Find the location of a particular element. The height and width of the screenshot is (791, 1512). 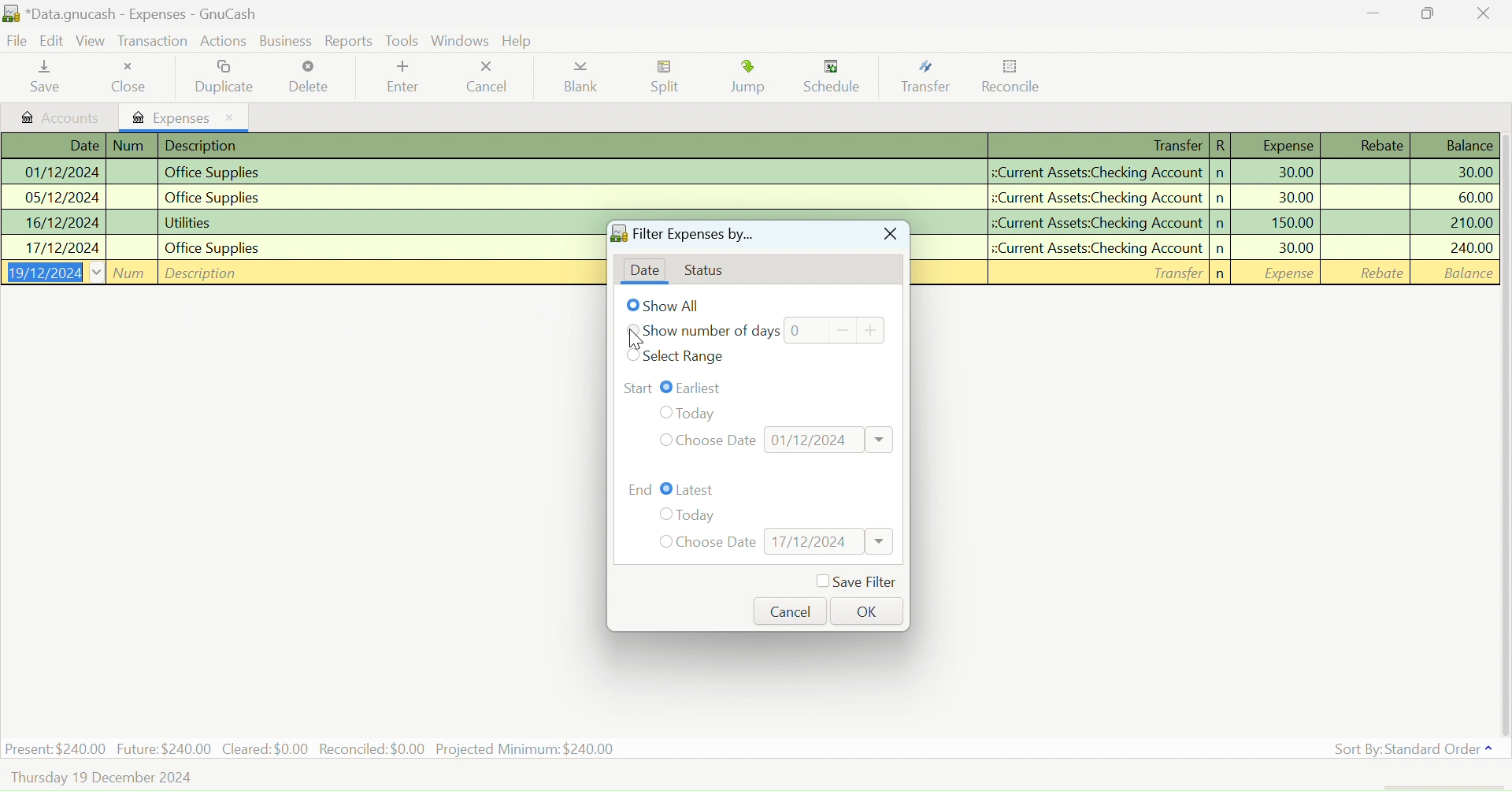

Tools is located at coordinates (402, 39).